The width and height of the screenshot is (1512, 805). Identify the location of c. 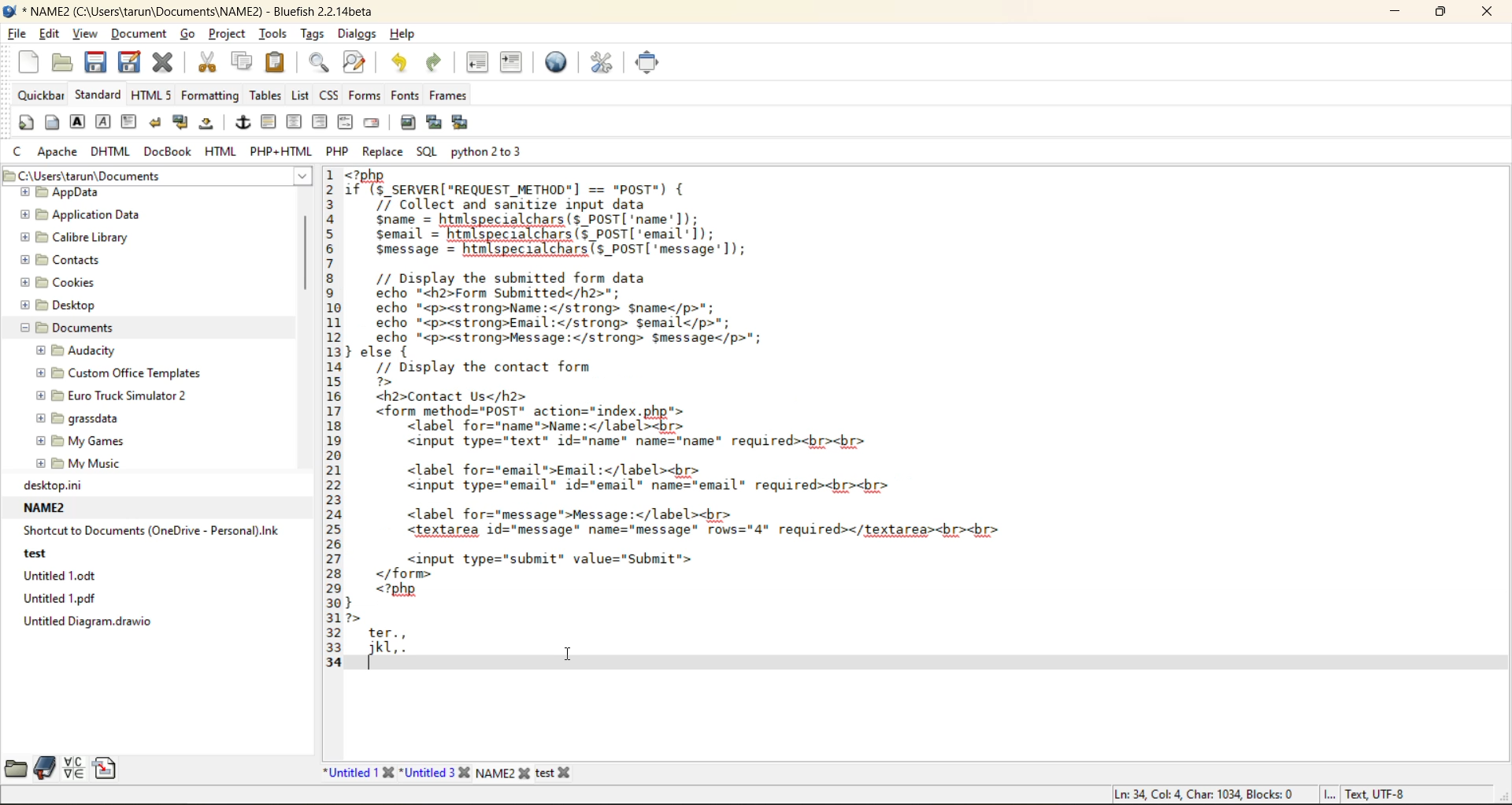
(19, 150).